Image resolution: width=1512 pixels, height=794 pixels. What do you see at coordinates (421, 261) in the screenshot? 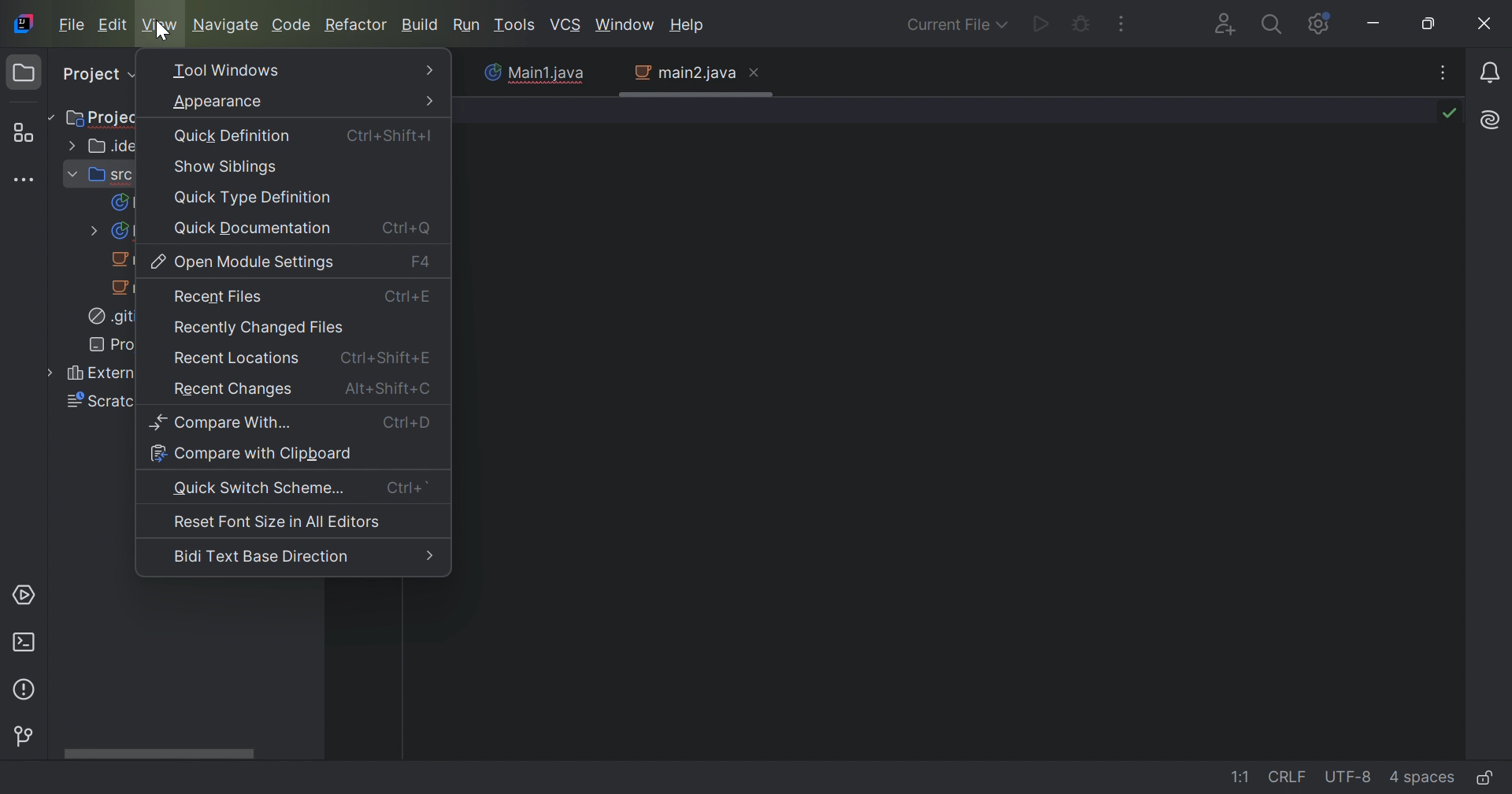
I see `F4` at bounding box center [421, 261].